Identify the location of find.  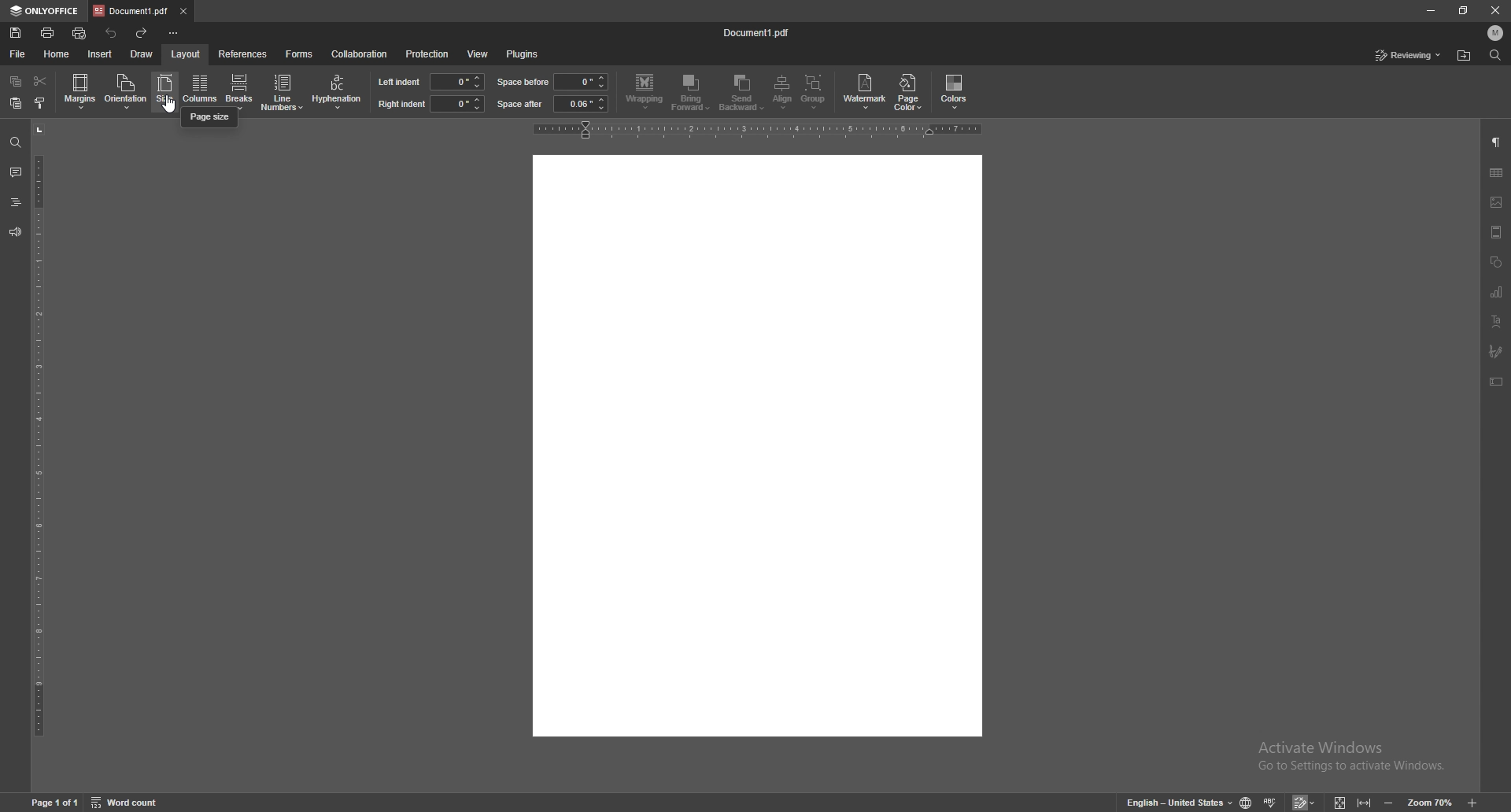
(15, 143).